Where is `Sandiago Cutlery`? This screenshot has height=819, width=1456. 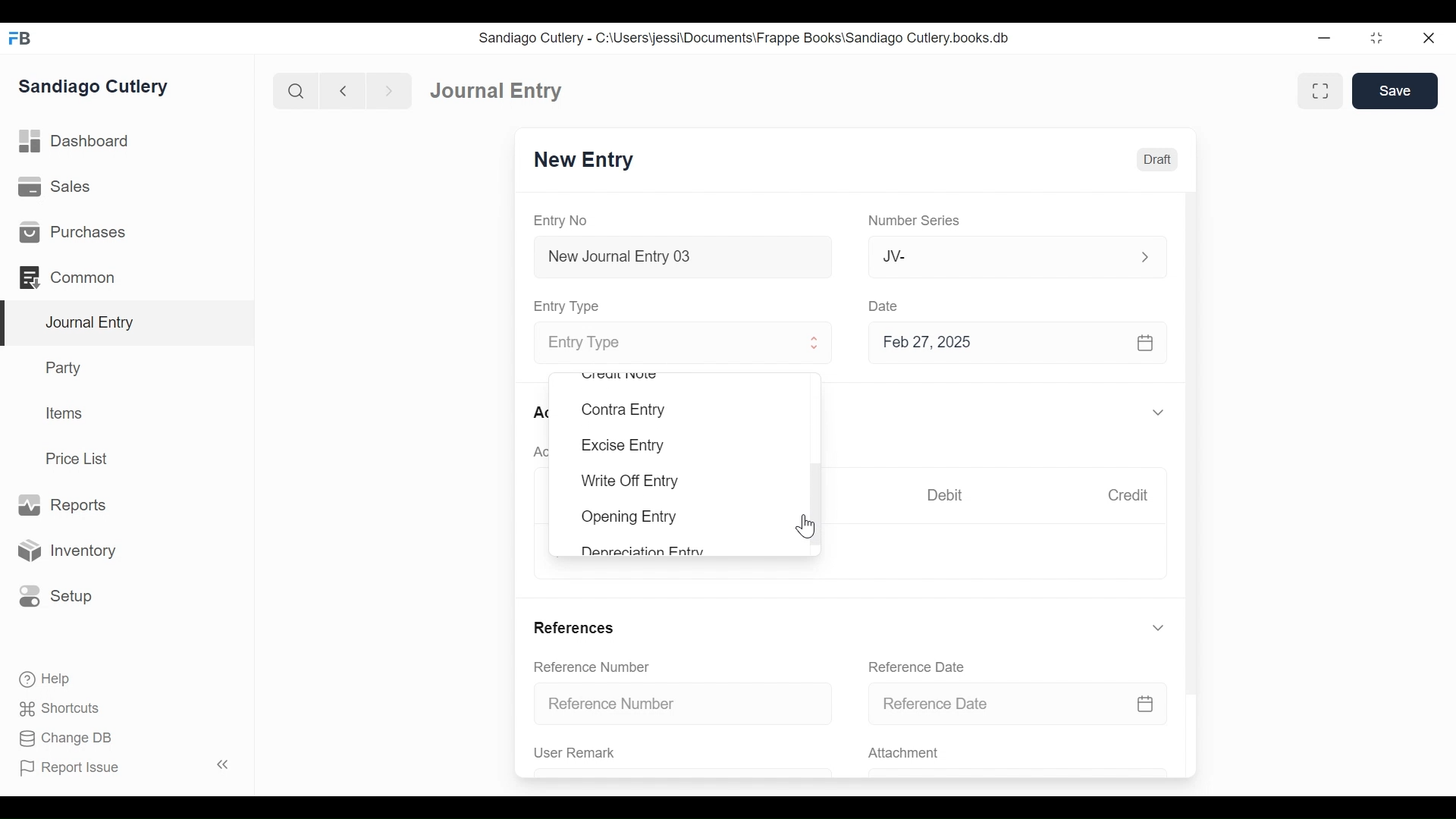 Sandiago Cutlery is located at coordinates (96, 88).